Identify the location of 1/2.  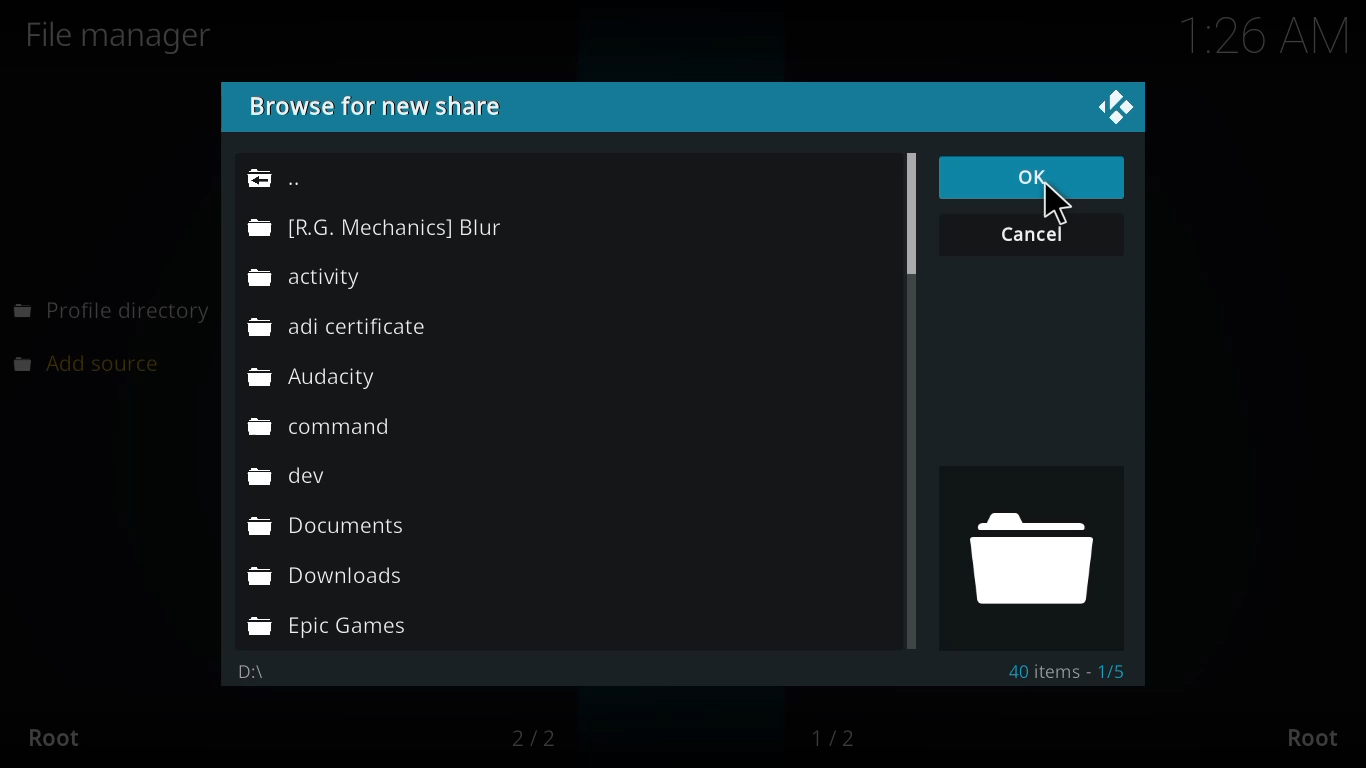
(839, 737).